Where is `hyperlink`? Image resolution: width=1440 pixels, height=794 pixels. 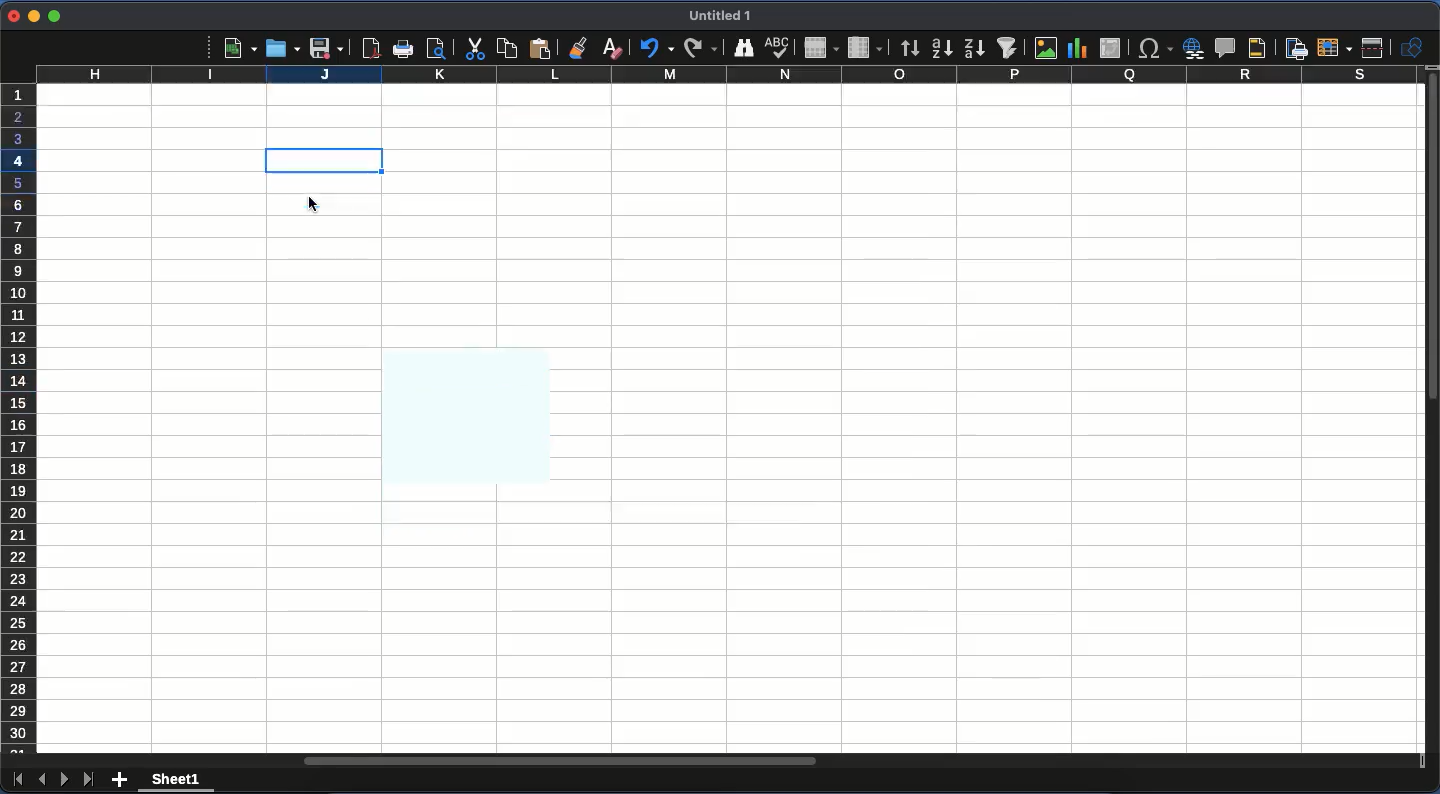
hyperlink is located at coordinates (1193, 48).